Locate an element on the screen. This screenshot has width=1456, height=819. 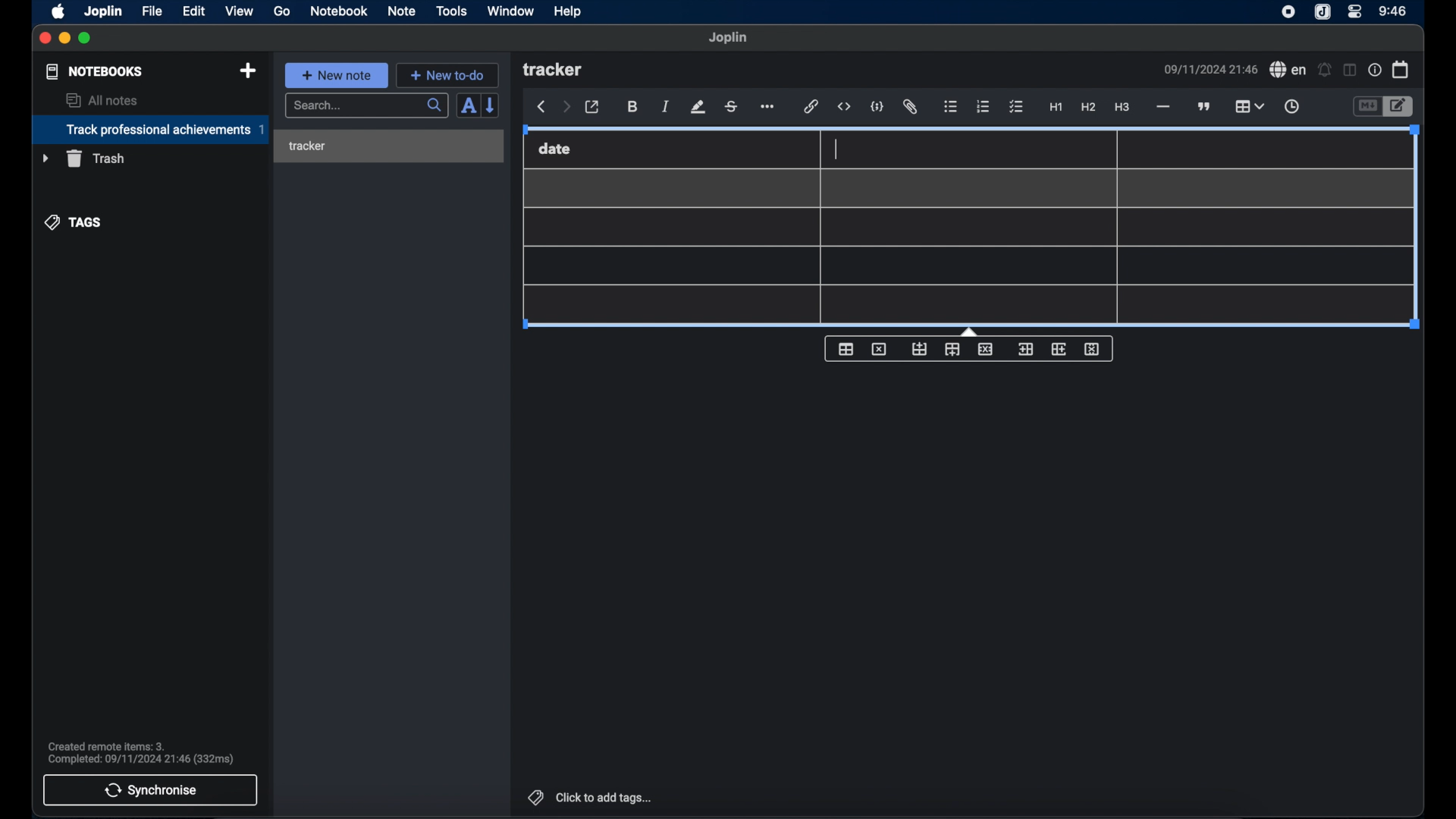
search bar is located at coordinates (366, 106).